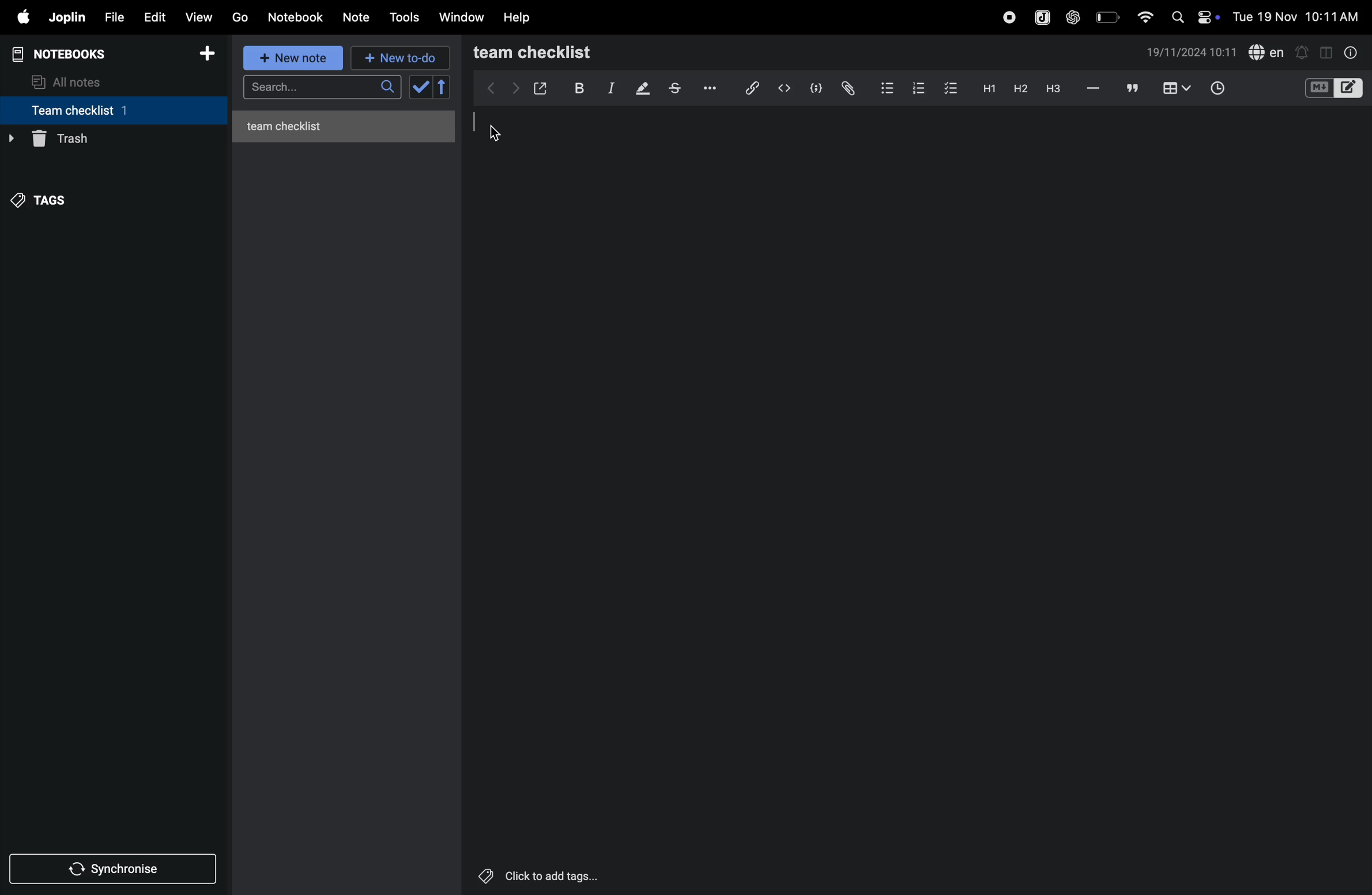 This screenshot has width=1372, height=895. I want to click on synchronize, so click(115, 868).